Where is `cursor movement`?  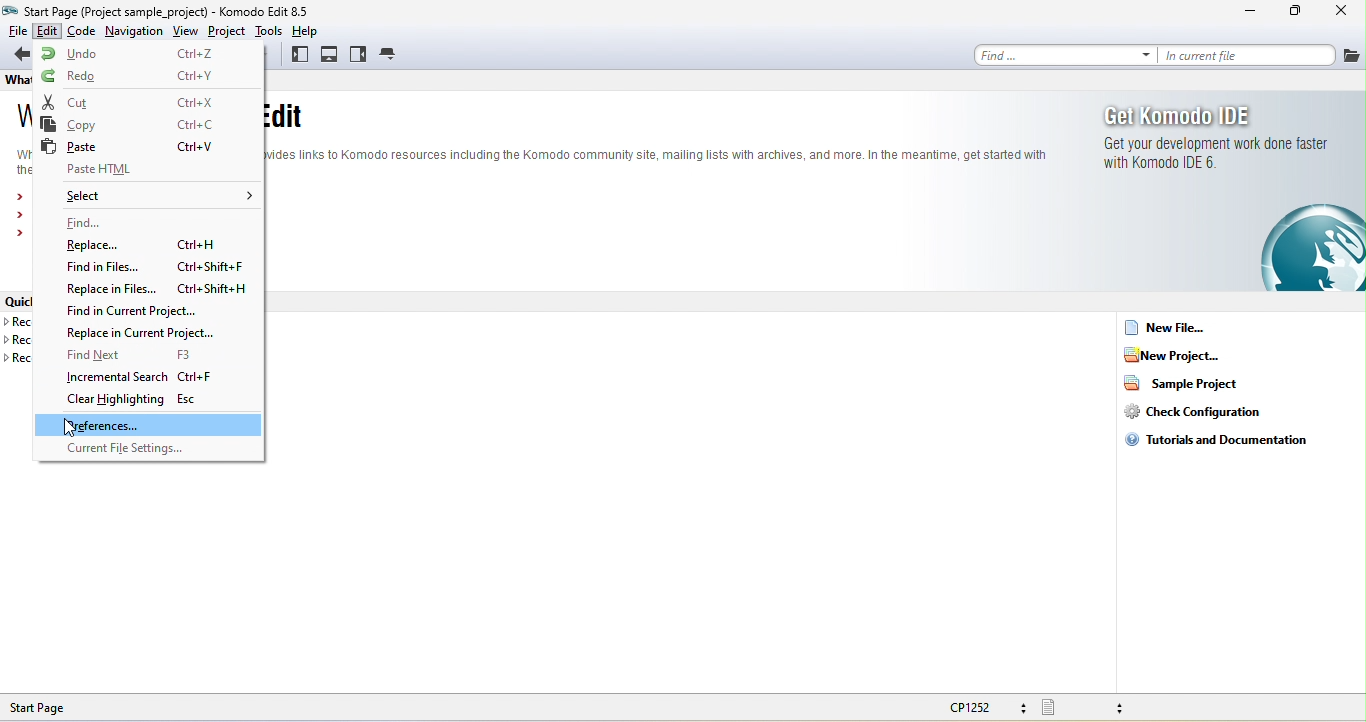 cursor movement is located at coordinates (78, 427).